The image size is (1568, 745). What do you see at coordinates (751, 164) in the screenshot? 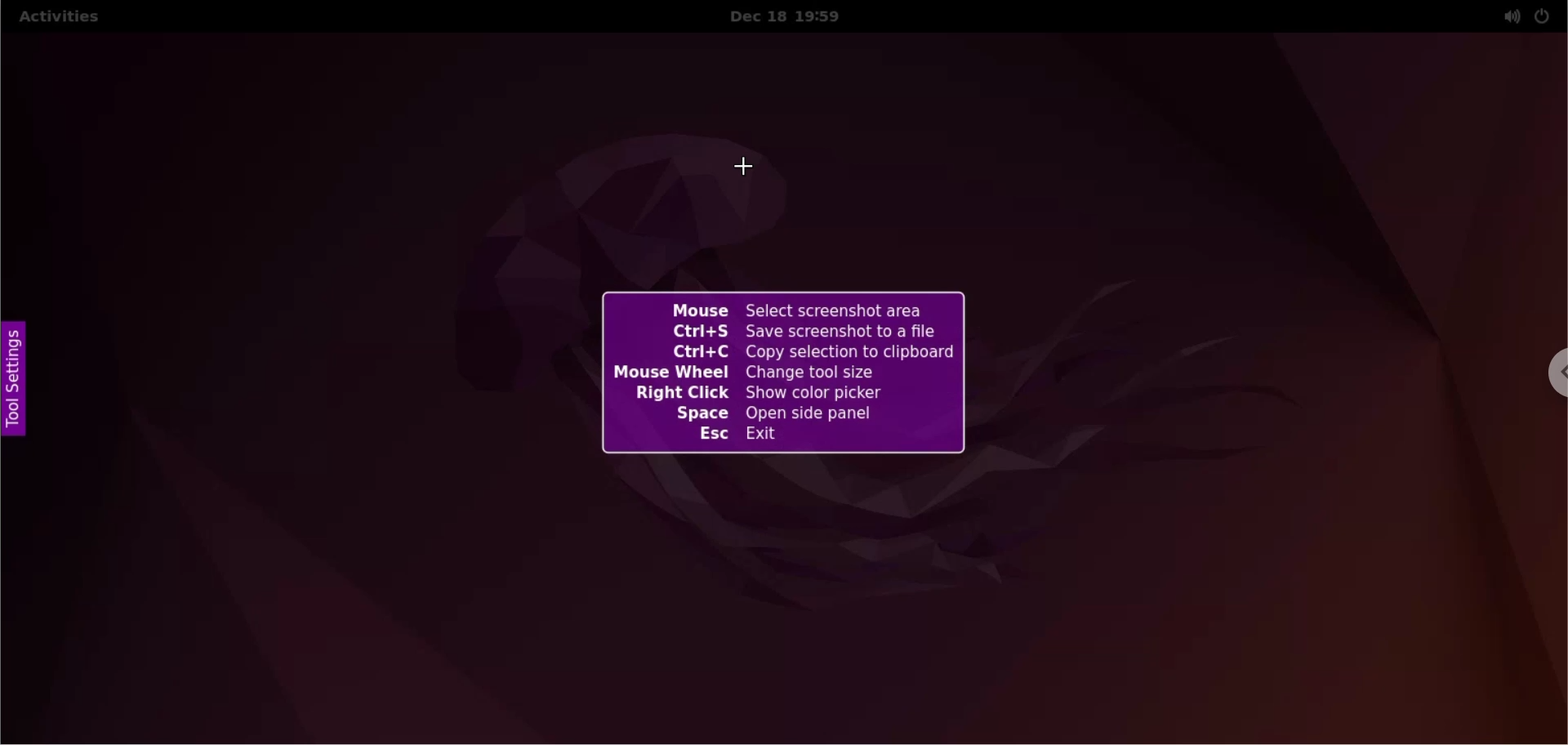
I see `cursor` at bounding box center [751, 164].